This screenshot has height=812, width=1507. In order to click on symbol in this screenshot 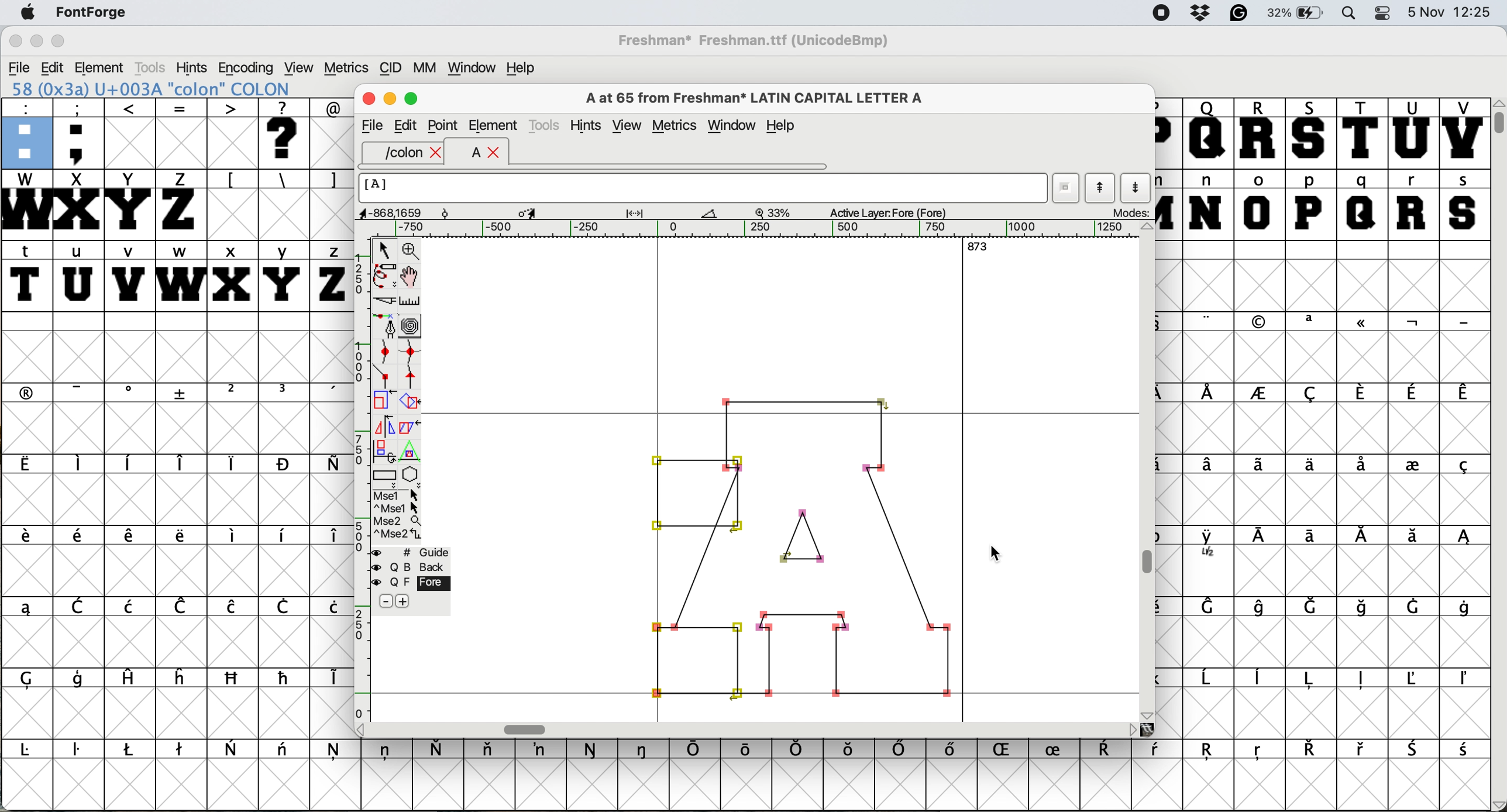, I will do `click(1259, 753)`.